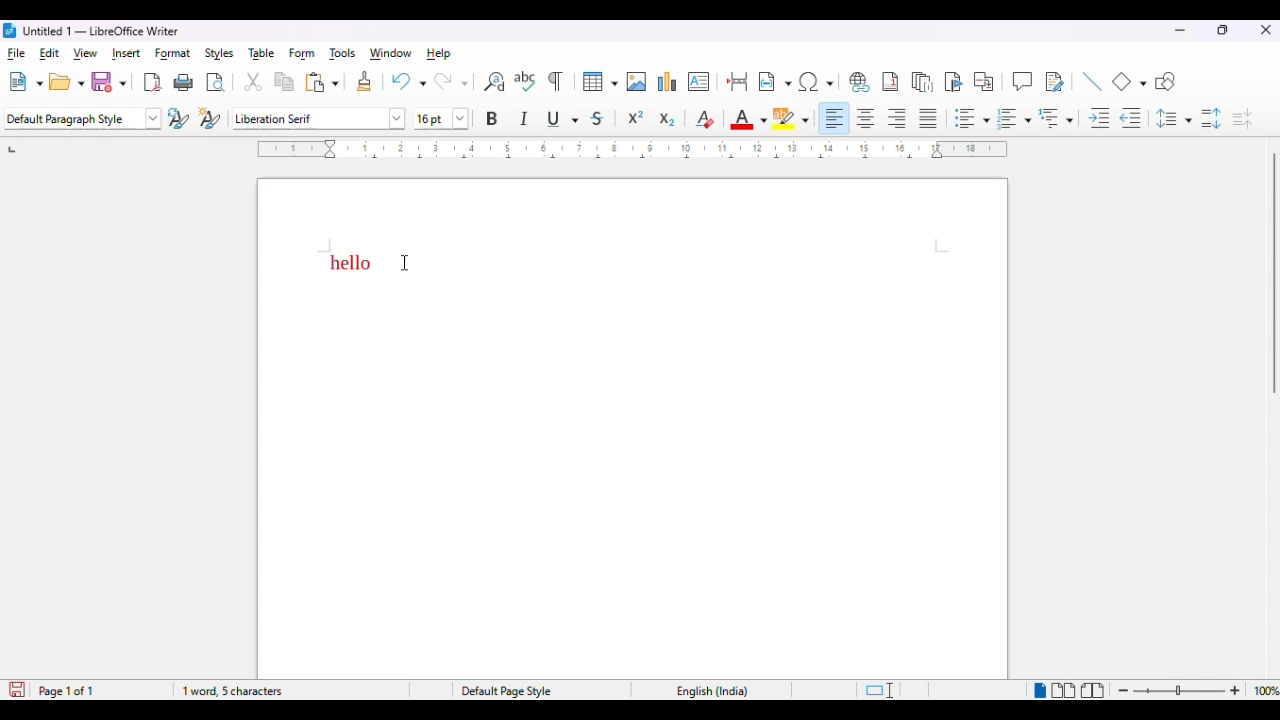 The image size is (1280, 720). What do you see at coordinates (817, 82) in the screenshot?
I see `insert special characters` at bounding box center [817, 82].